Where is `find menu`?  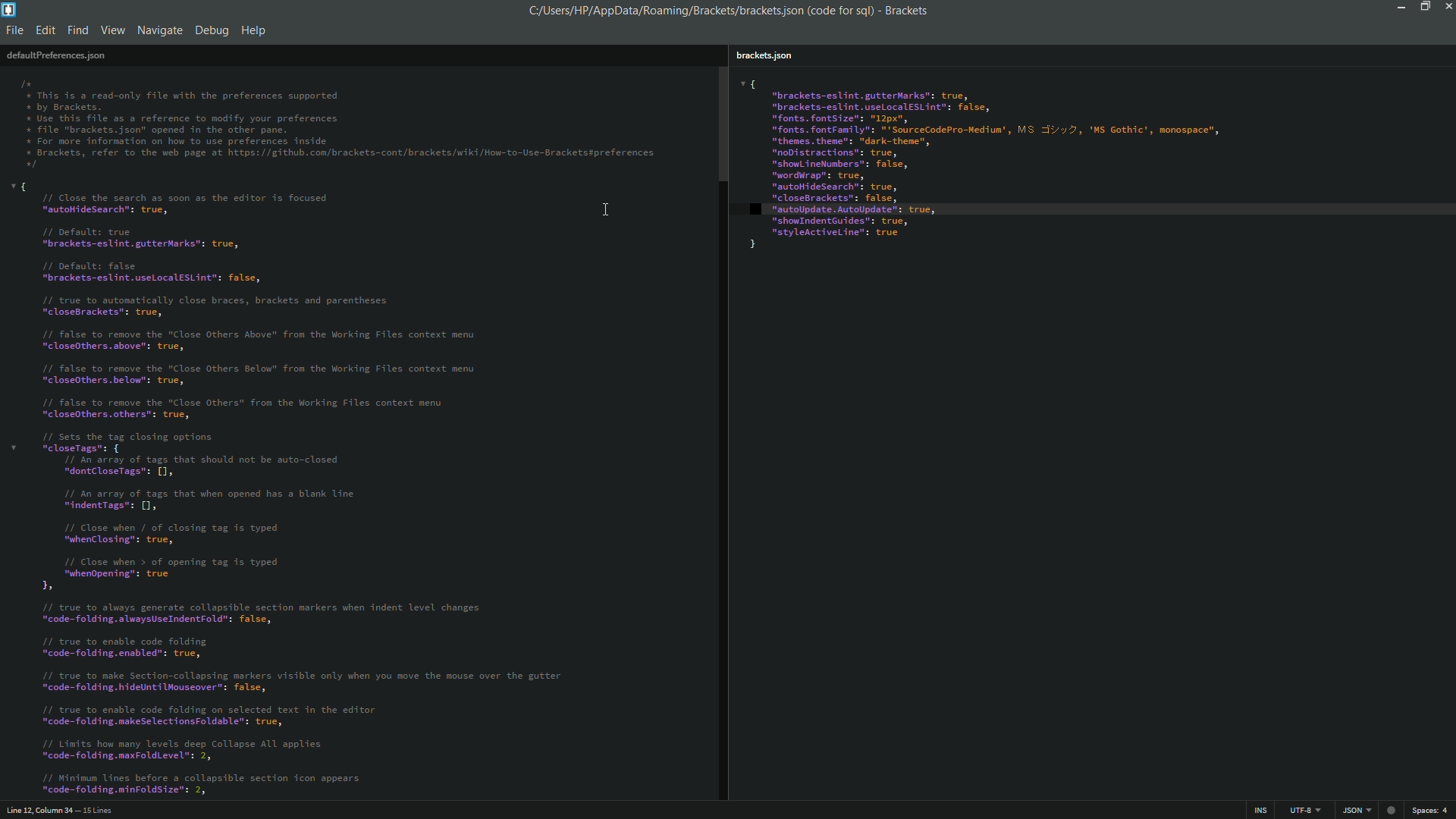
find menu is located at coordinates (79, 30).